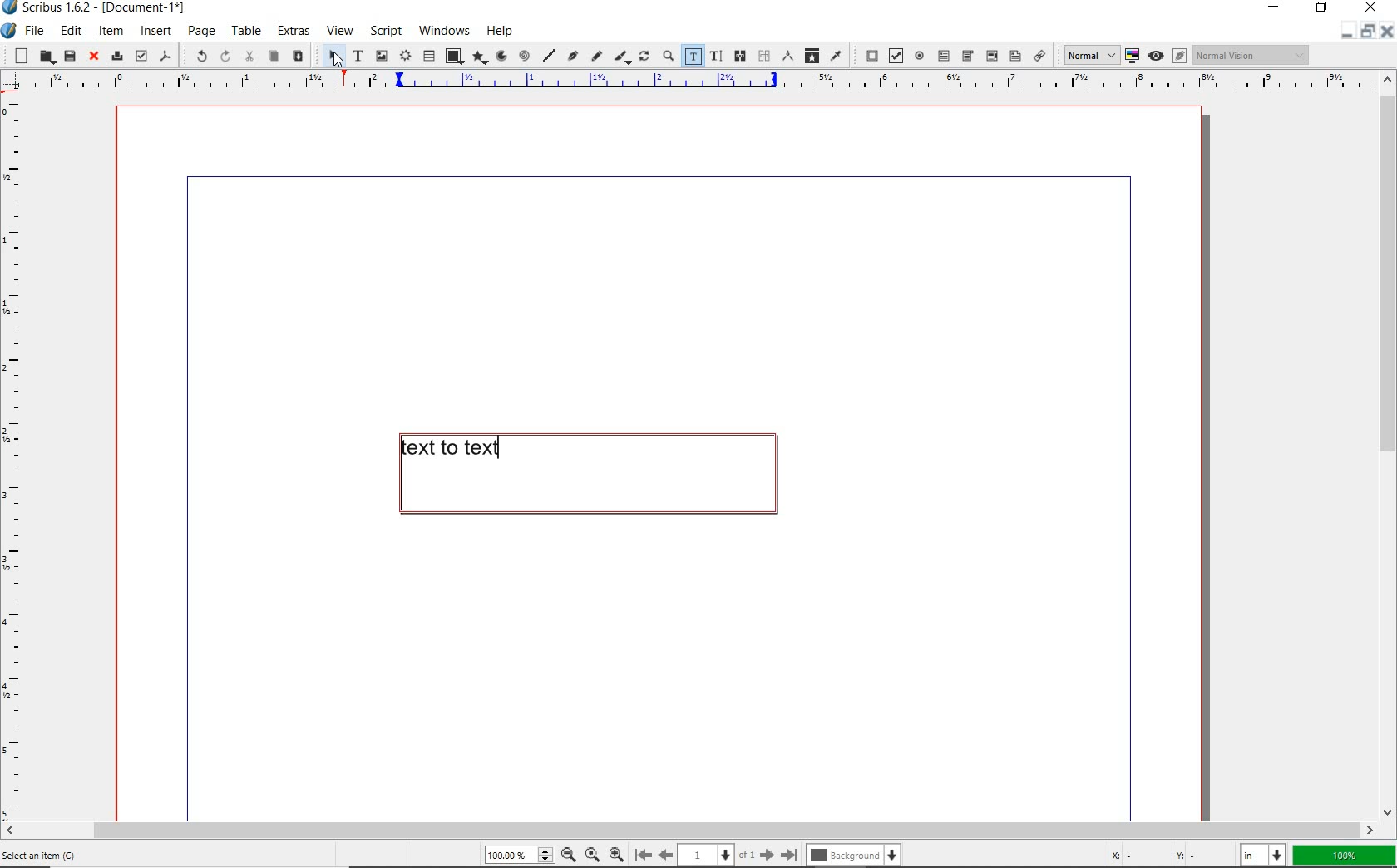  What do you see at coordinates (91, 57) in the screenshot?
I see `close` at bounding box center [91, 57].